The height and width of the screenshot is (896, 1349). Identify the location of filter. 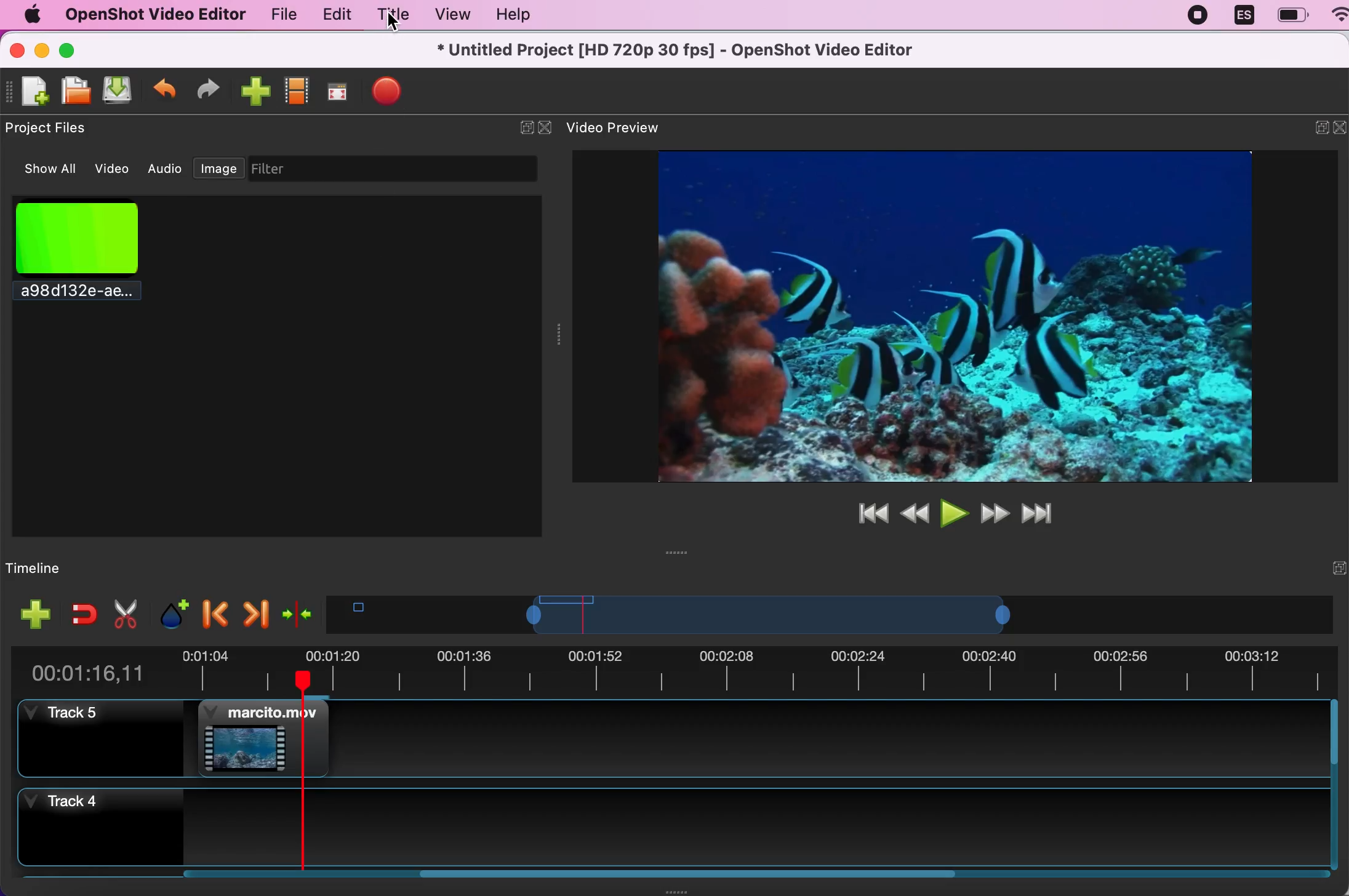
(404, 169).